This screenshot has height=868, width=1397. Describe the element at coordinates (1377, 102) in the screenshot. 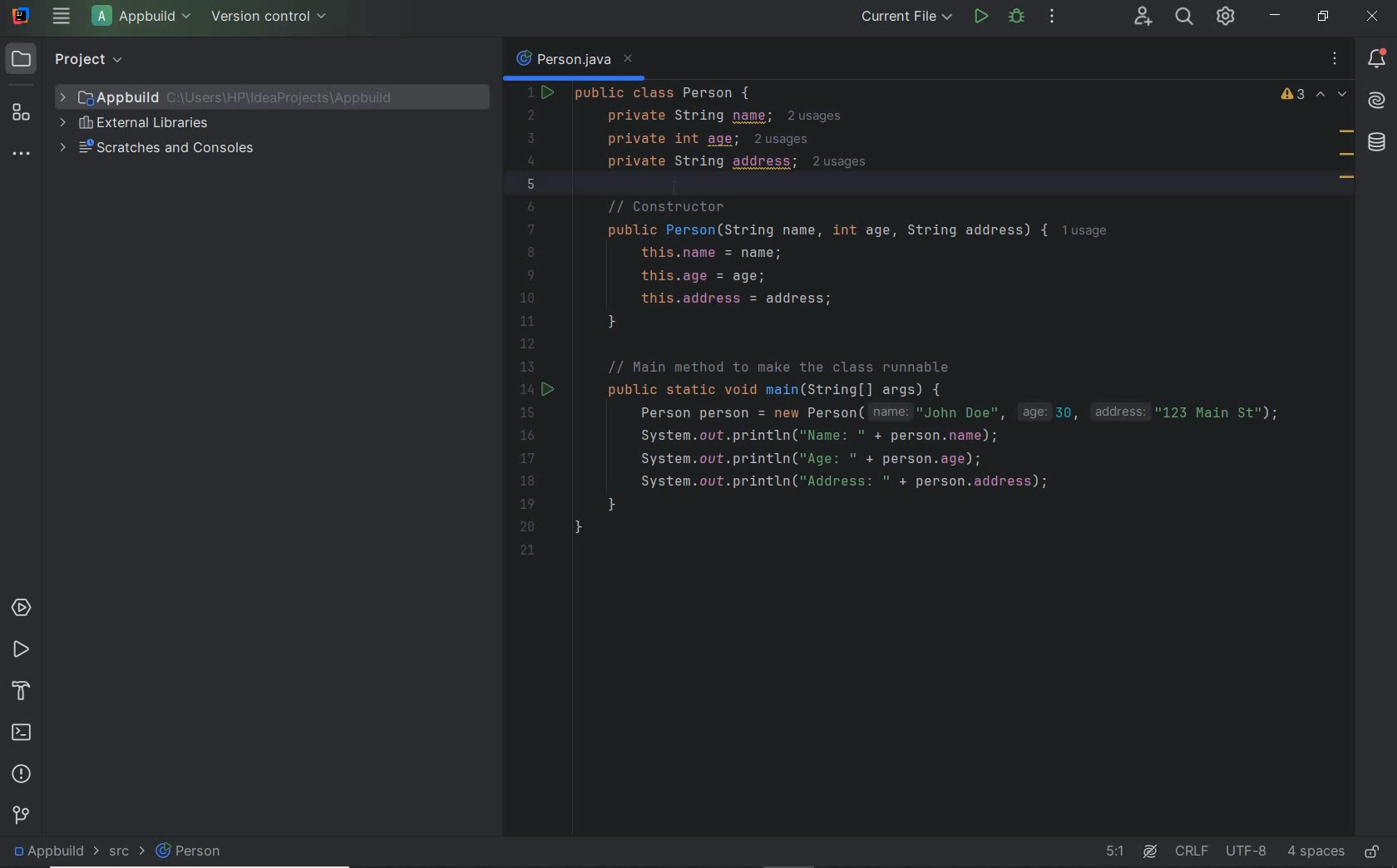

I see `AI Assistant` at that location.